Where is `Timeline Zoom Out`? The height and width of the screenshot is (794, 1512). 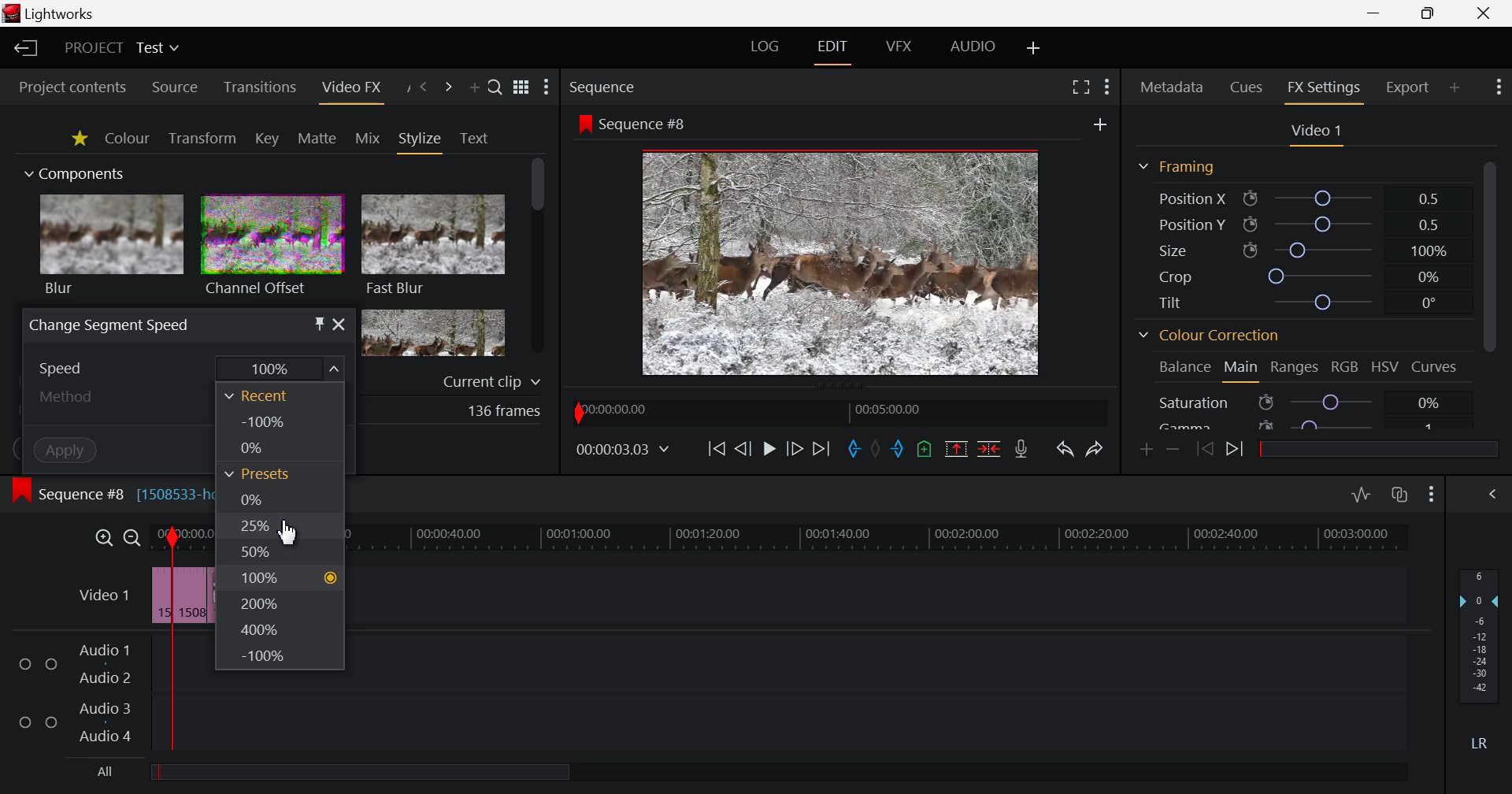
Timeline Zoom Out is located at coordinates (133, 538).